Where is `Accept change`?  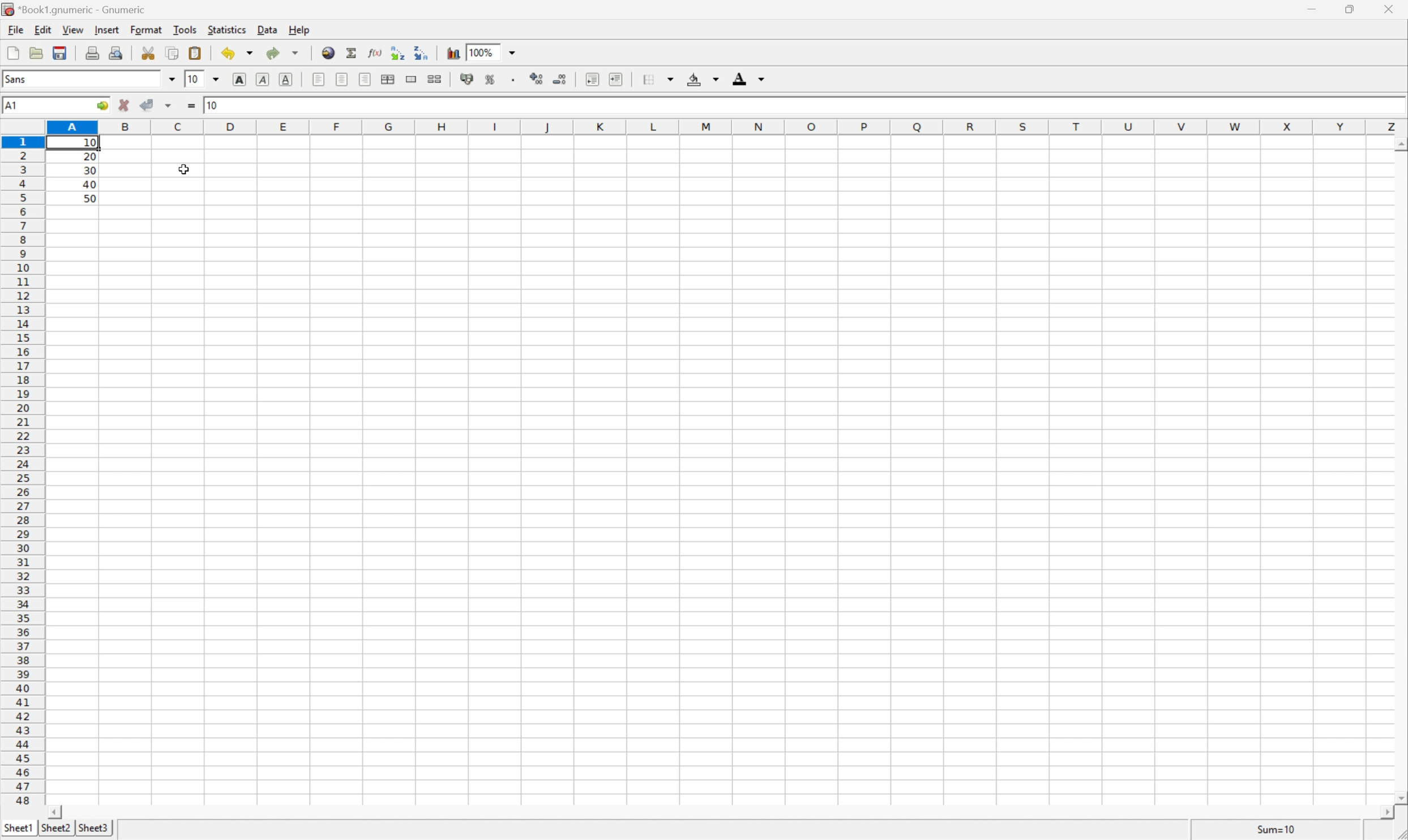 Accept change is located at coordinates (147, 106).